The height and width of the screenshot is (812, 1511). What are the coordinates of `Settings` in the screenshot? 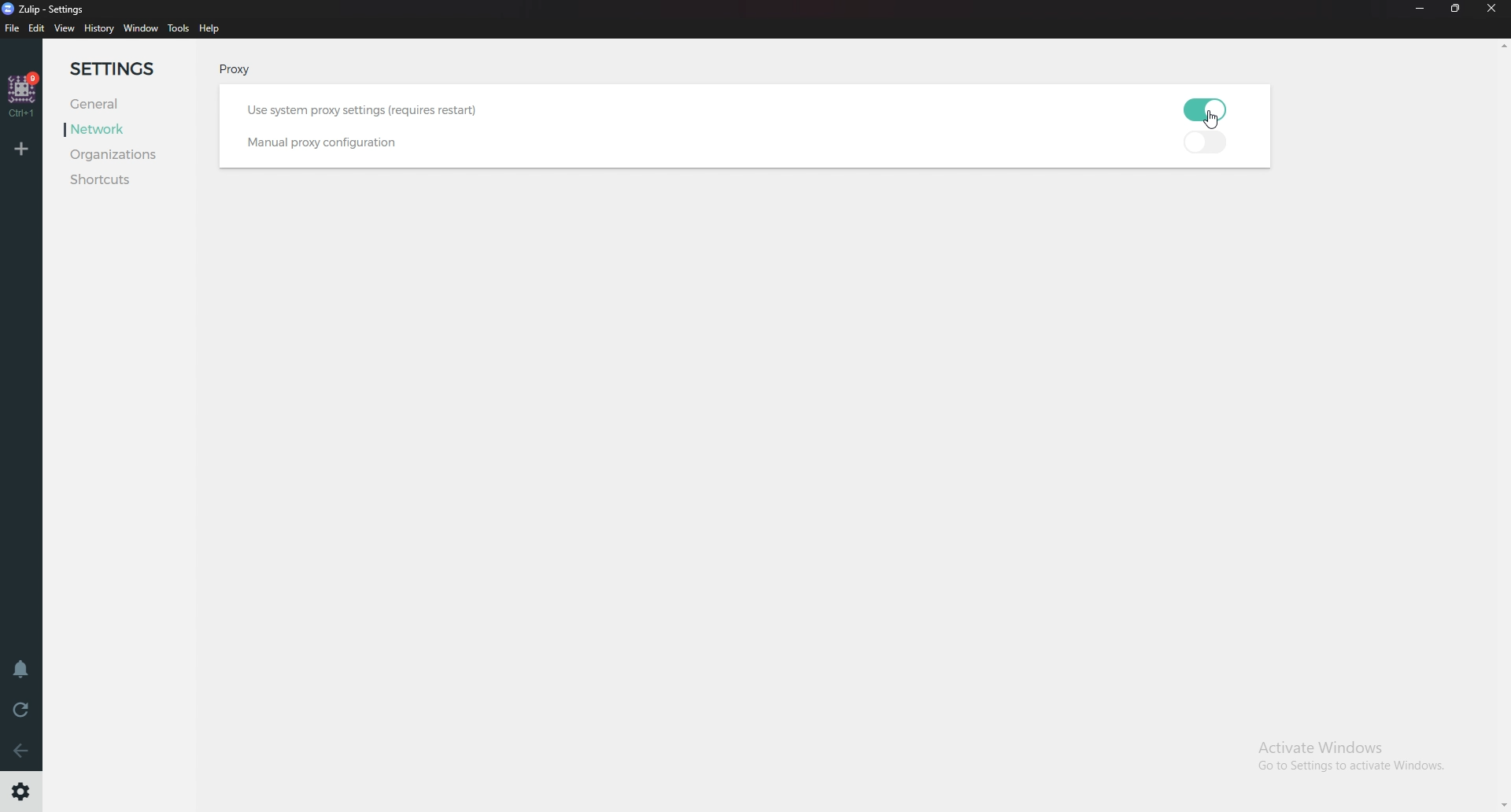 It's located at (22, 792).